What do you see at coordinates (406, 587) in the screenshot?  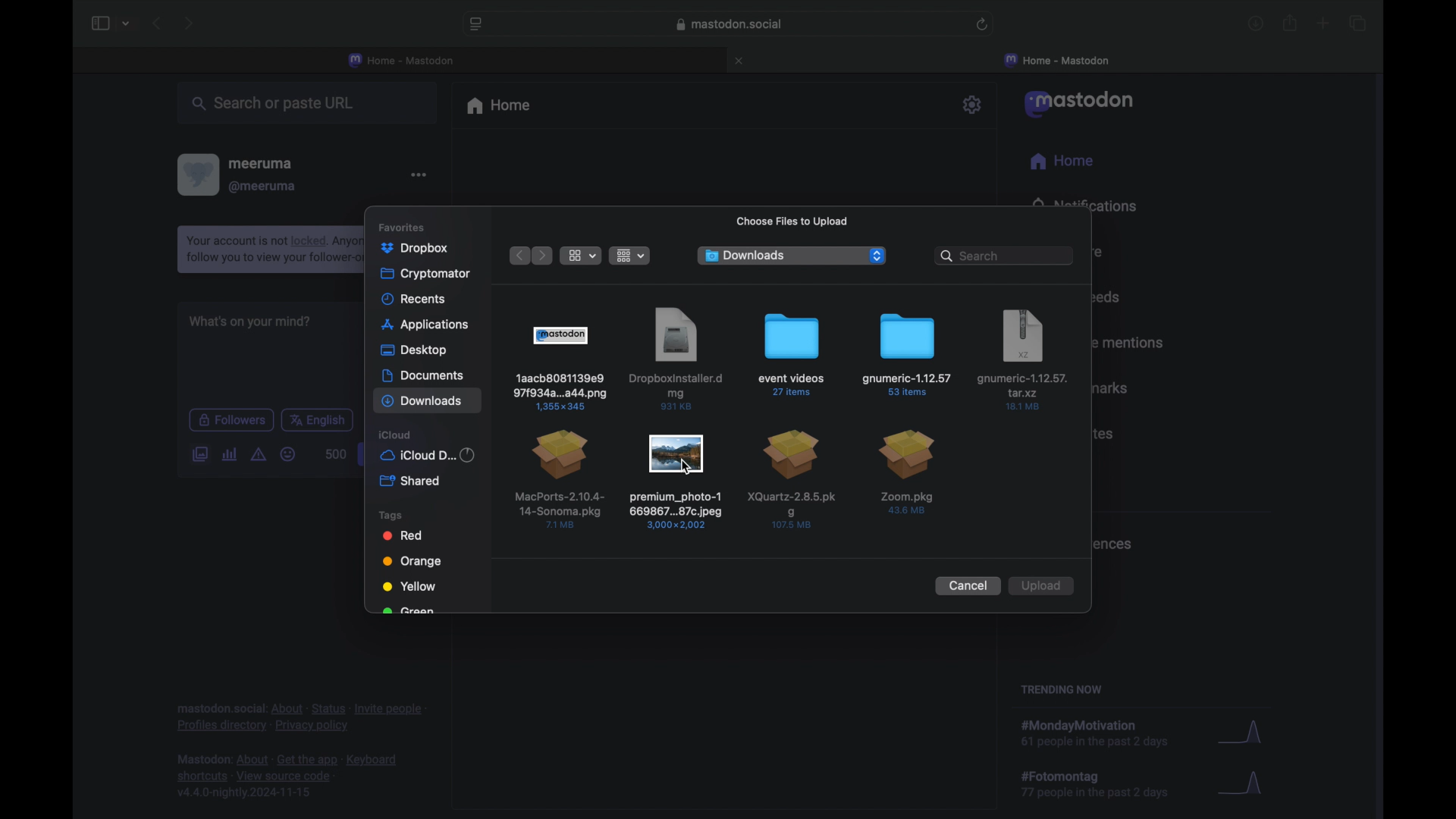 I see `yellow` at bounding box center [406, 587].